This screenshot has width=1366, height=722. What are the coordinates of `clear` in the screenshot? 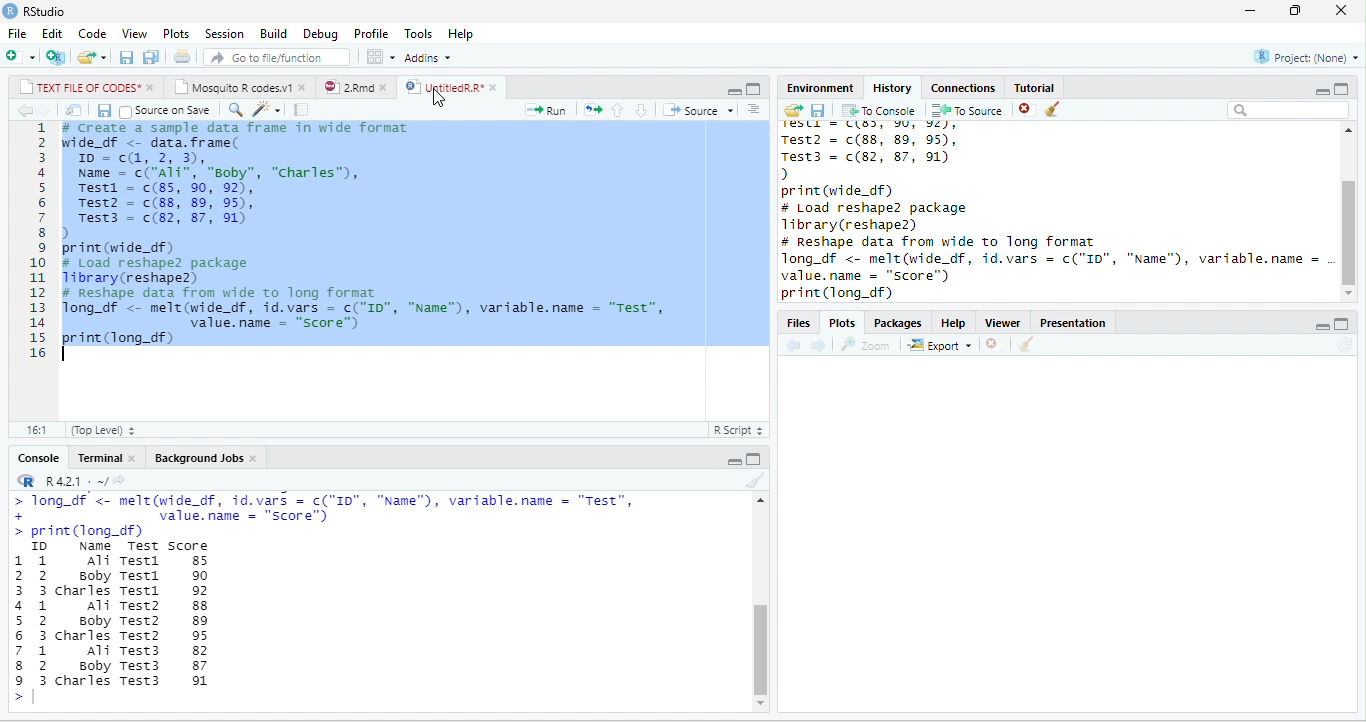 It's located at (756, 480).